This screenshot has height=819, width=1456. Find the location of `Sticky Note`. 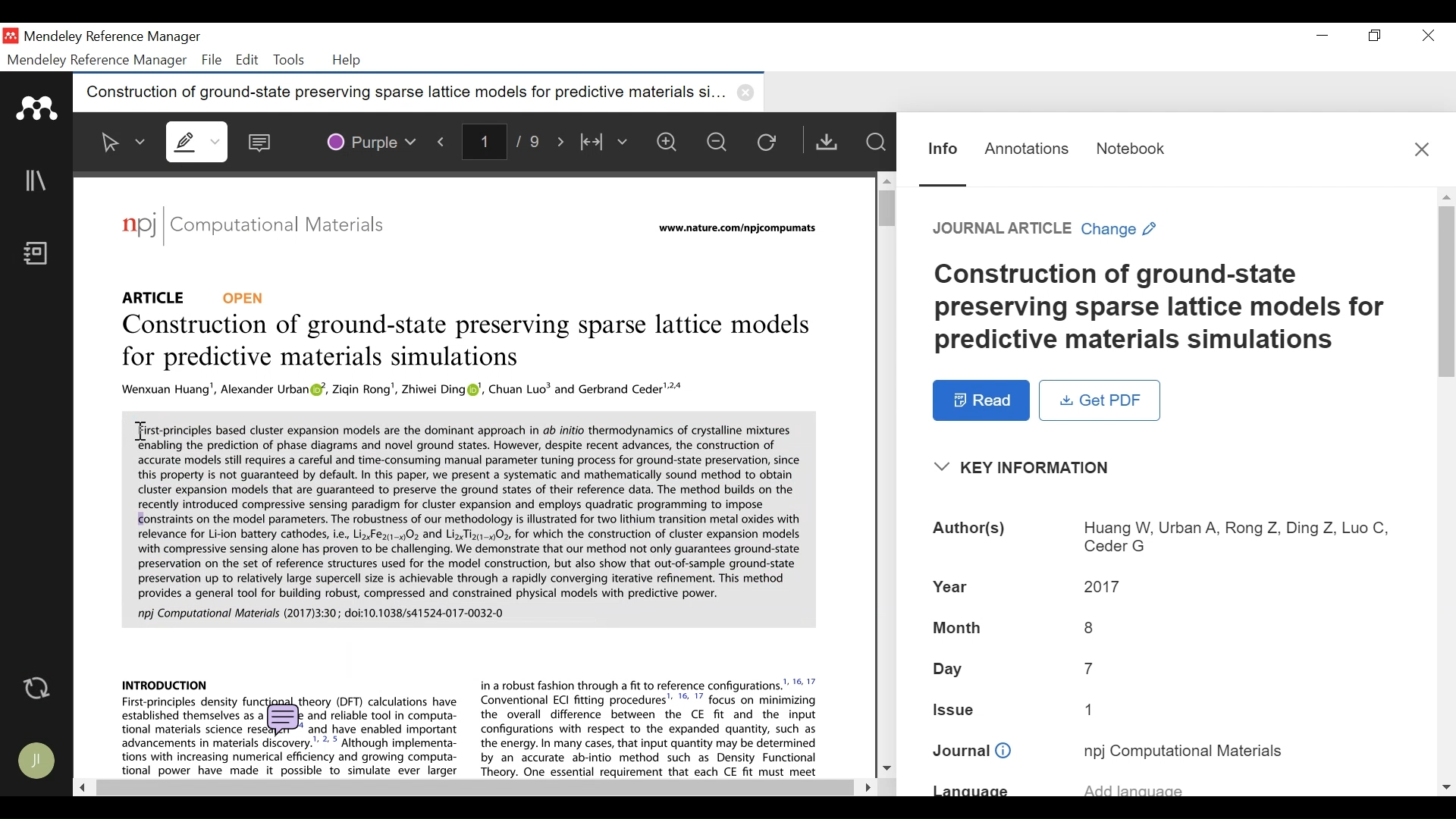

Sticky Note is located at coordinates (263, 139).